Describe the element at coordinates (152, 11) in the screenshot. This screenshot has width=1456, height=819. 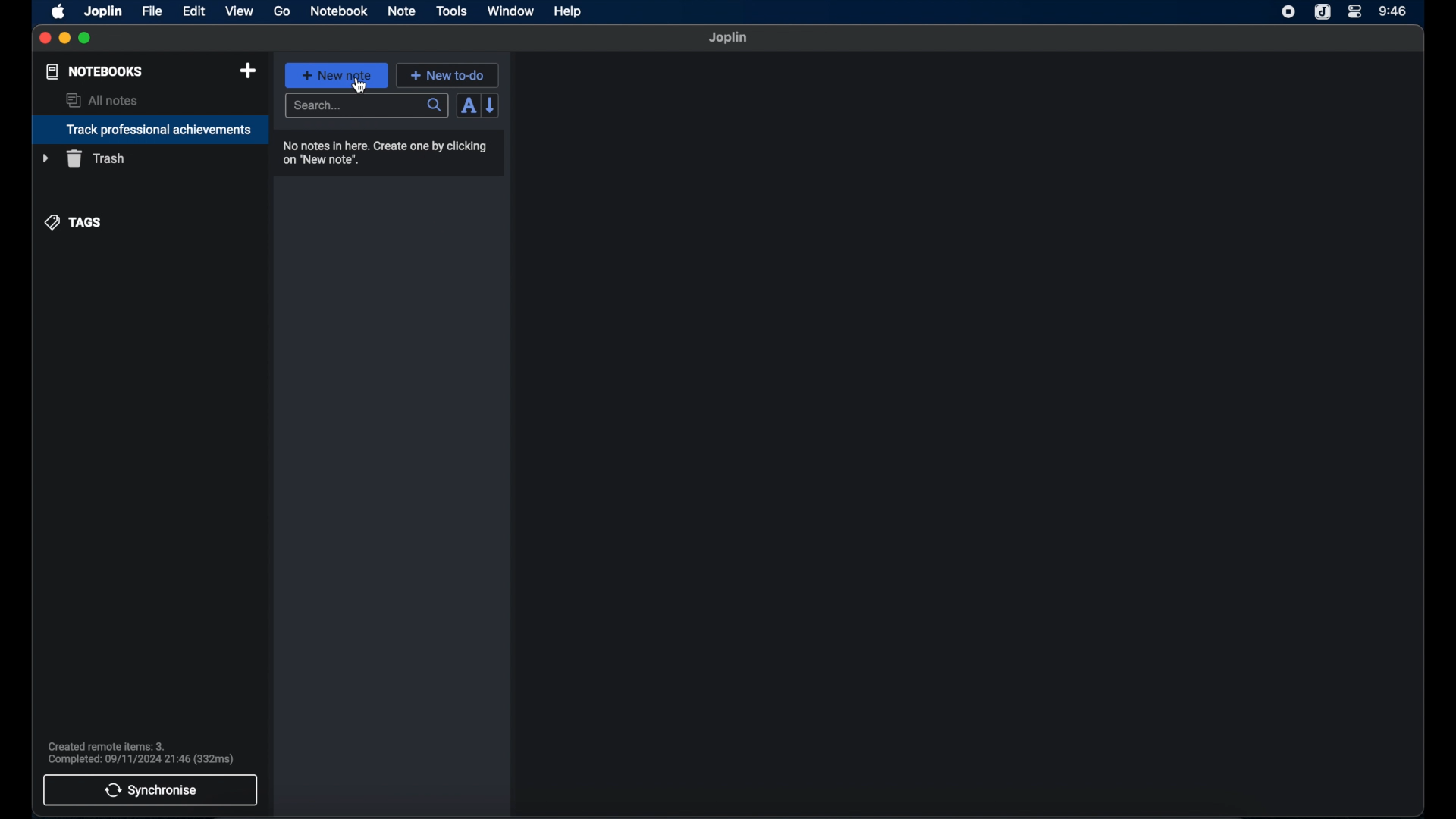
I see `file` at that location.